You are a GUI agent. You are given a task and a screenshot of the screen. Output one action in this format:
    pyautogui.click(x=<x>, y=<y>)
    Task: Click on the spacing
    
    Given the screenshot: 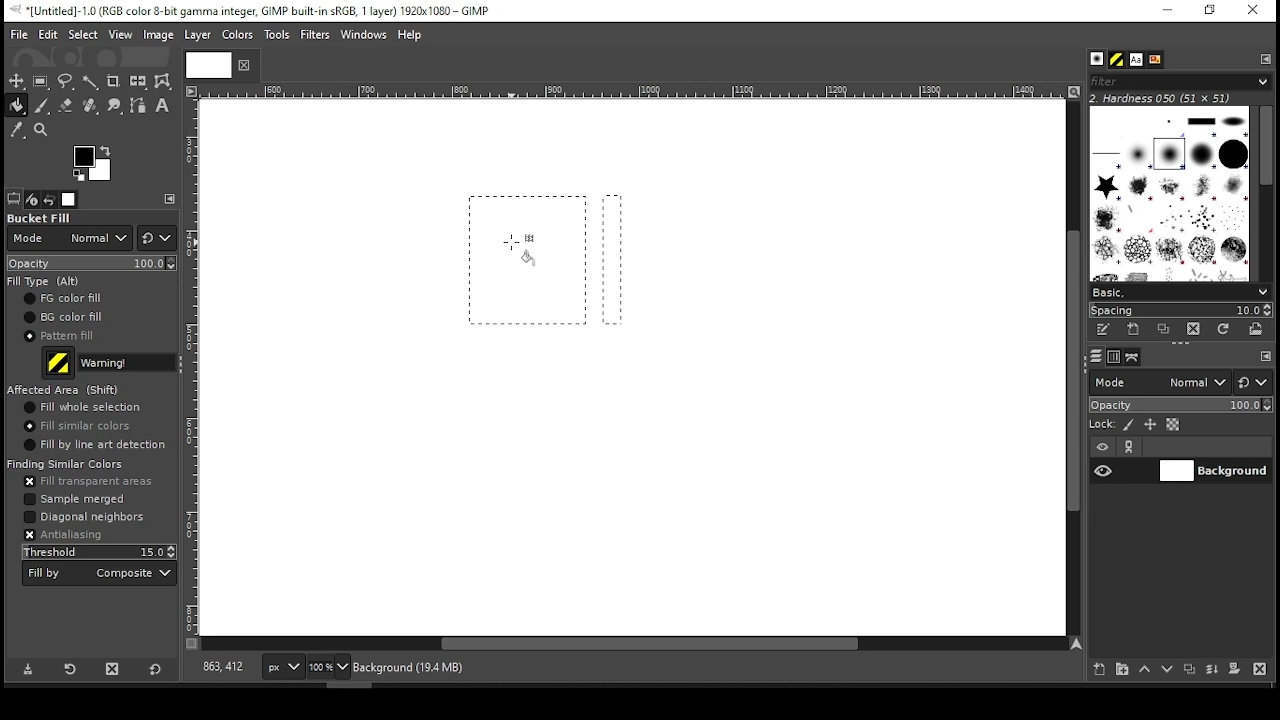 What is the action you would take?
    pyautogui.click(x=1180, y=310)
    